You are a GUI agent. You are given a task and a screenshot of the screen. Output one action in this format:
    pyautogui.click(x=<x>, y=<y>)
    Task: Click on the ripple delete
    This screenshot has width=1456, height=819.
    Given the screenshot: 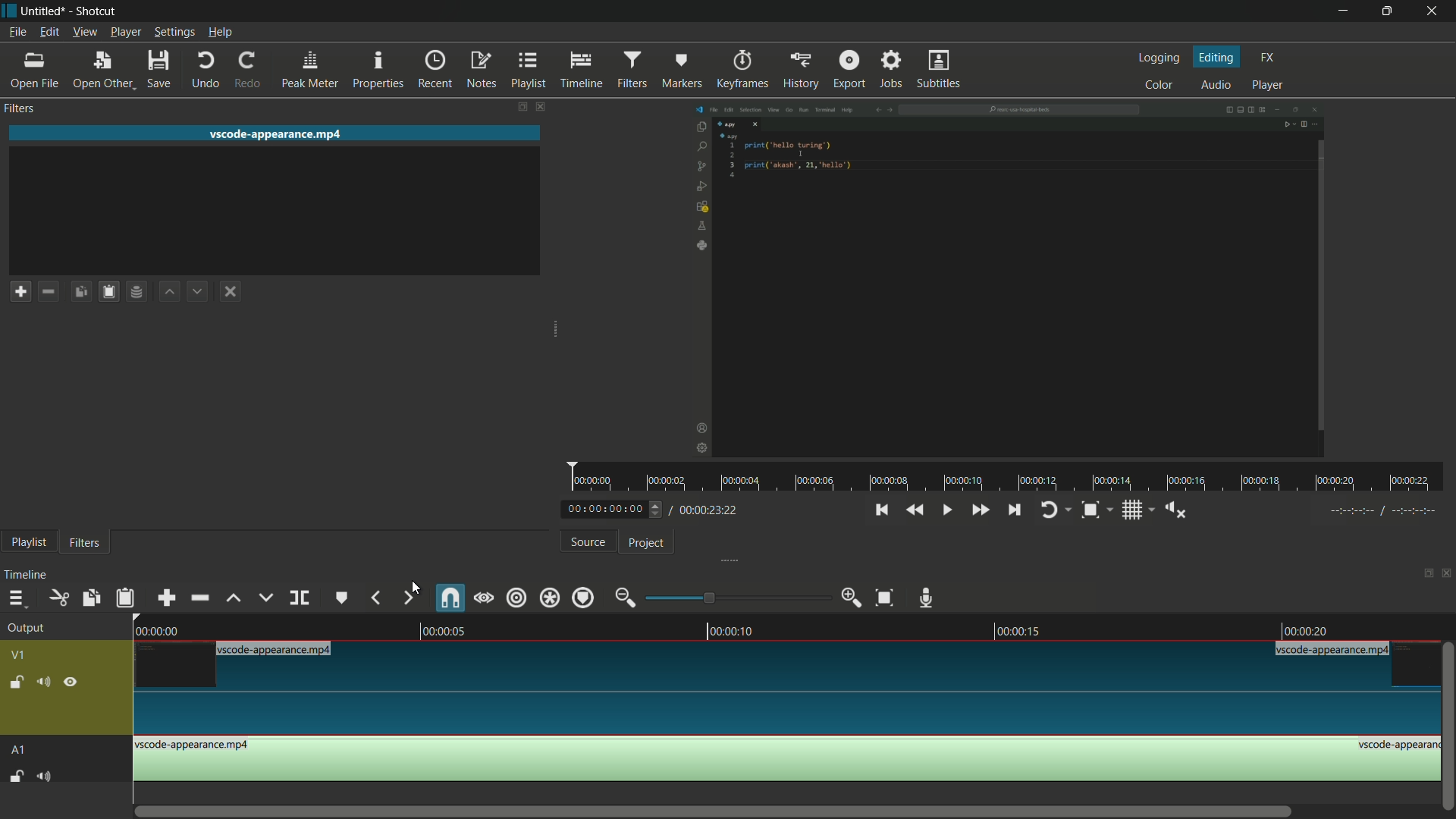 What is the action you would take?
    pyautogui.click(x=199, y=598)
    